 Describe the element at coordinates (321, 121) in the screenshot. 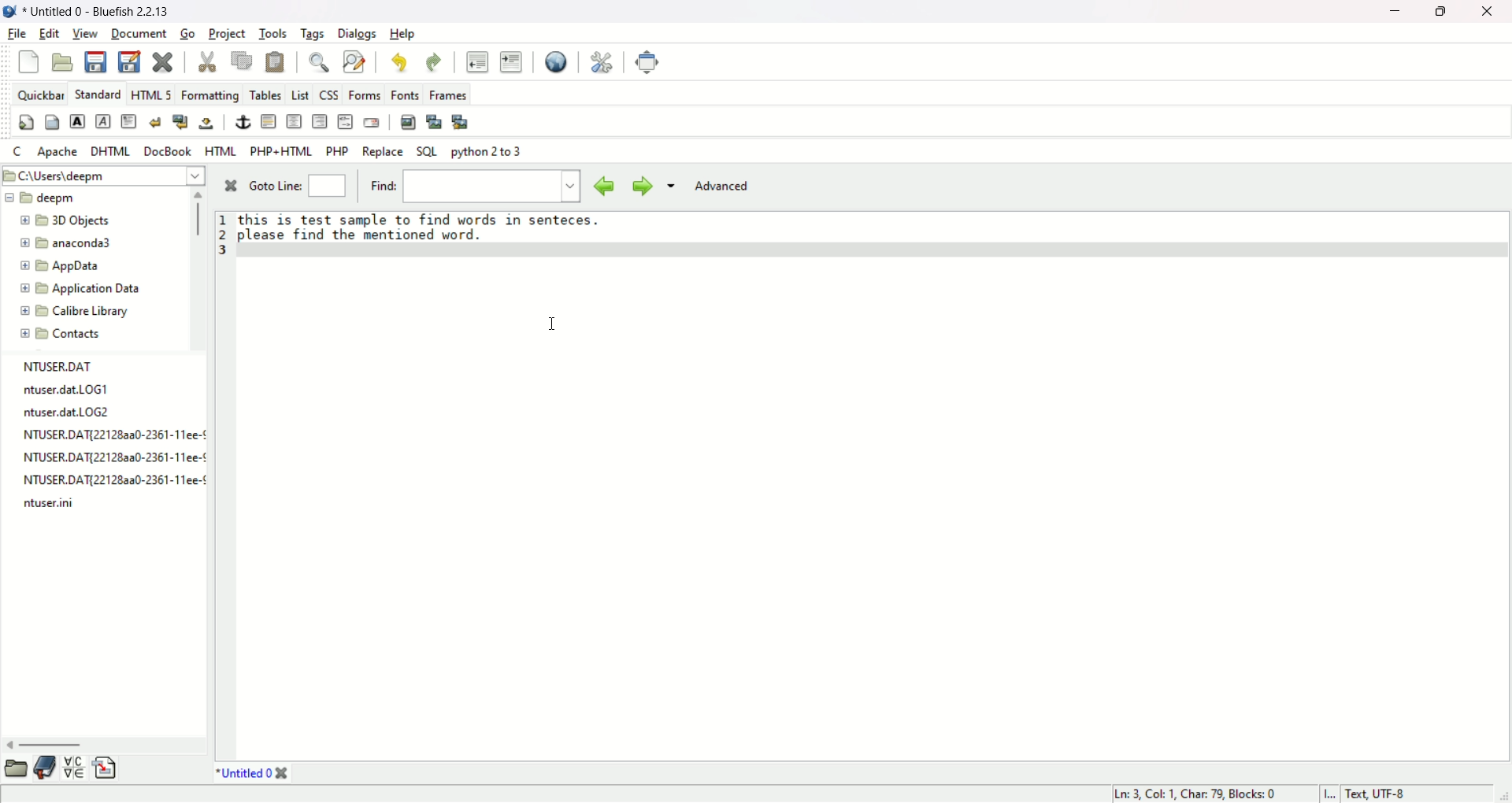

I see `right justify` at that location.